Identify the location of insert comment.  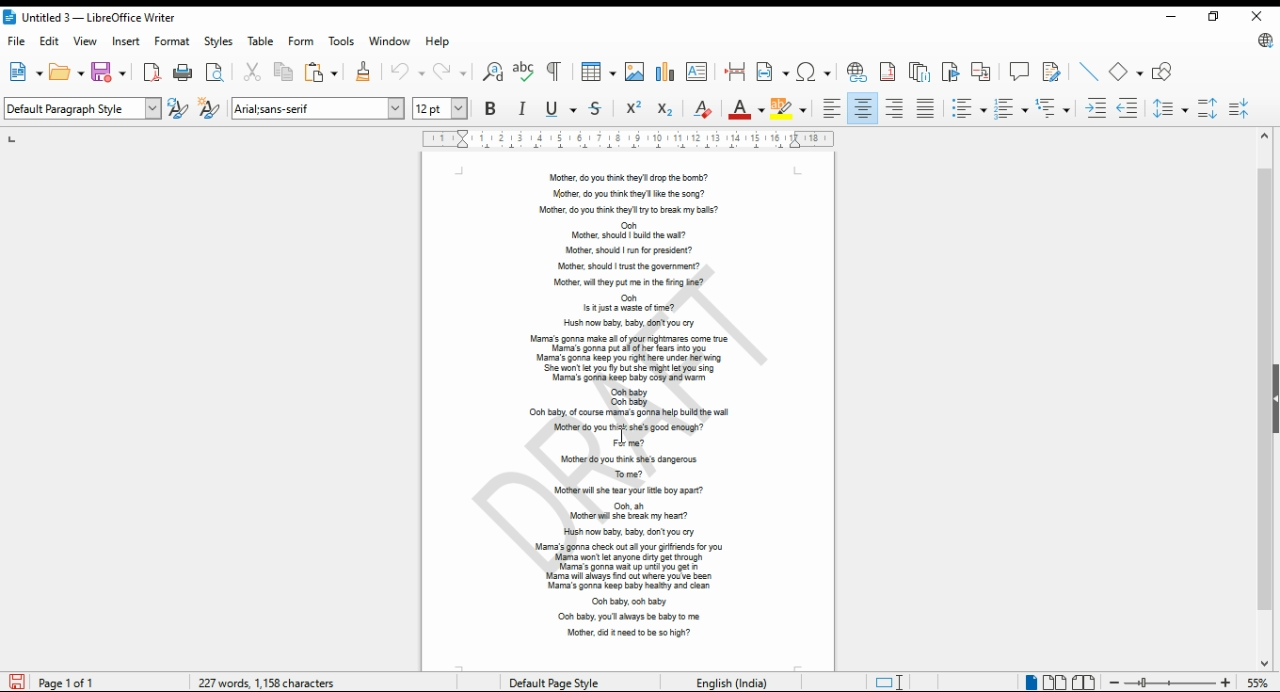
(1020, 71).